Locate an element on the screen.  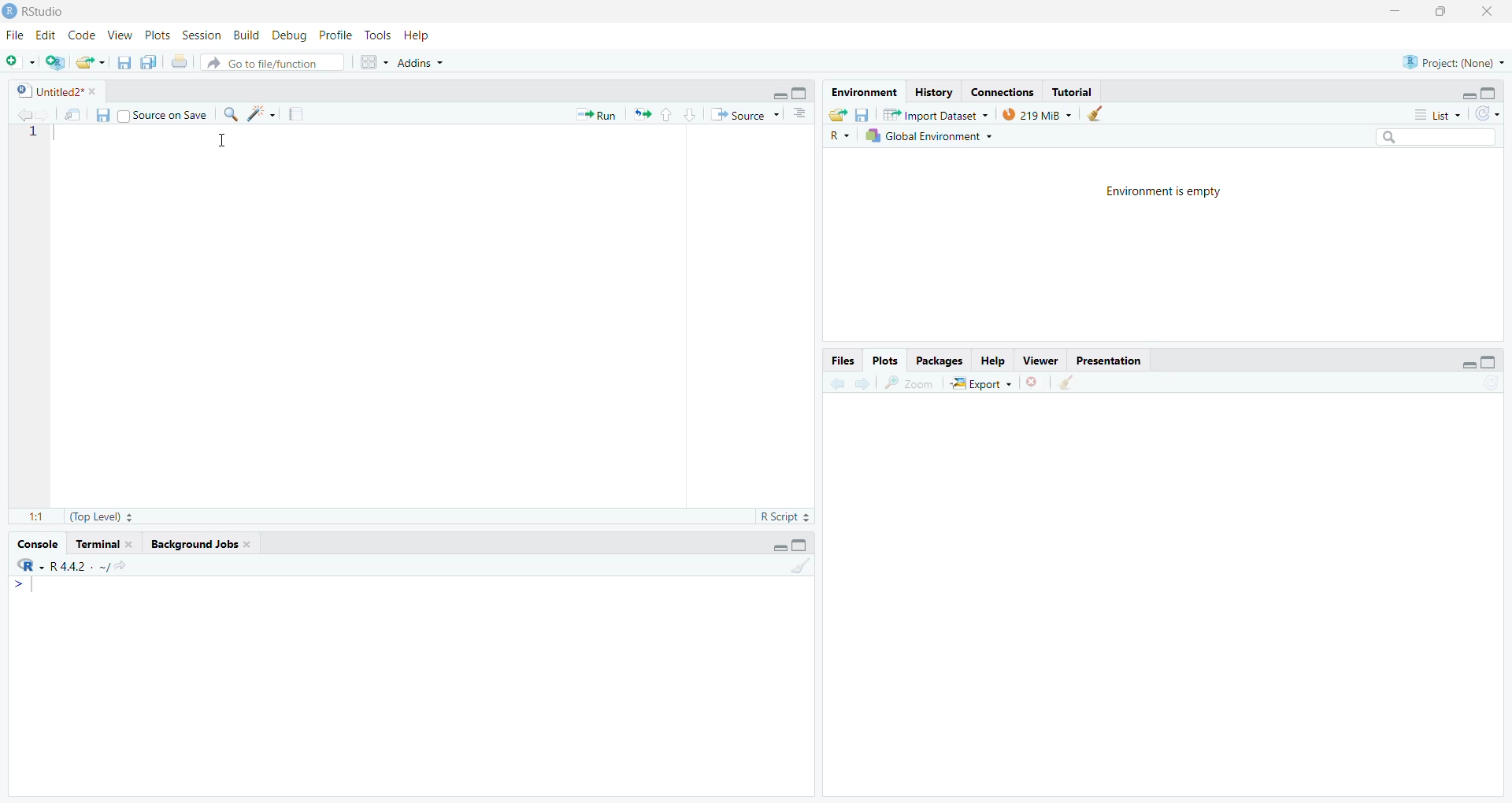
Terminal is located at coordinates (104, 544).